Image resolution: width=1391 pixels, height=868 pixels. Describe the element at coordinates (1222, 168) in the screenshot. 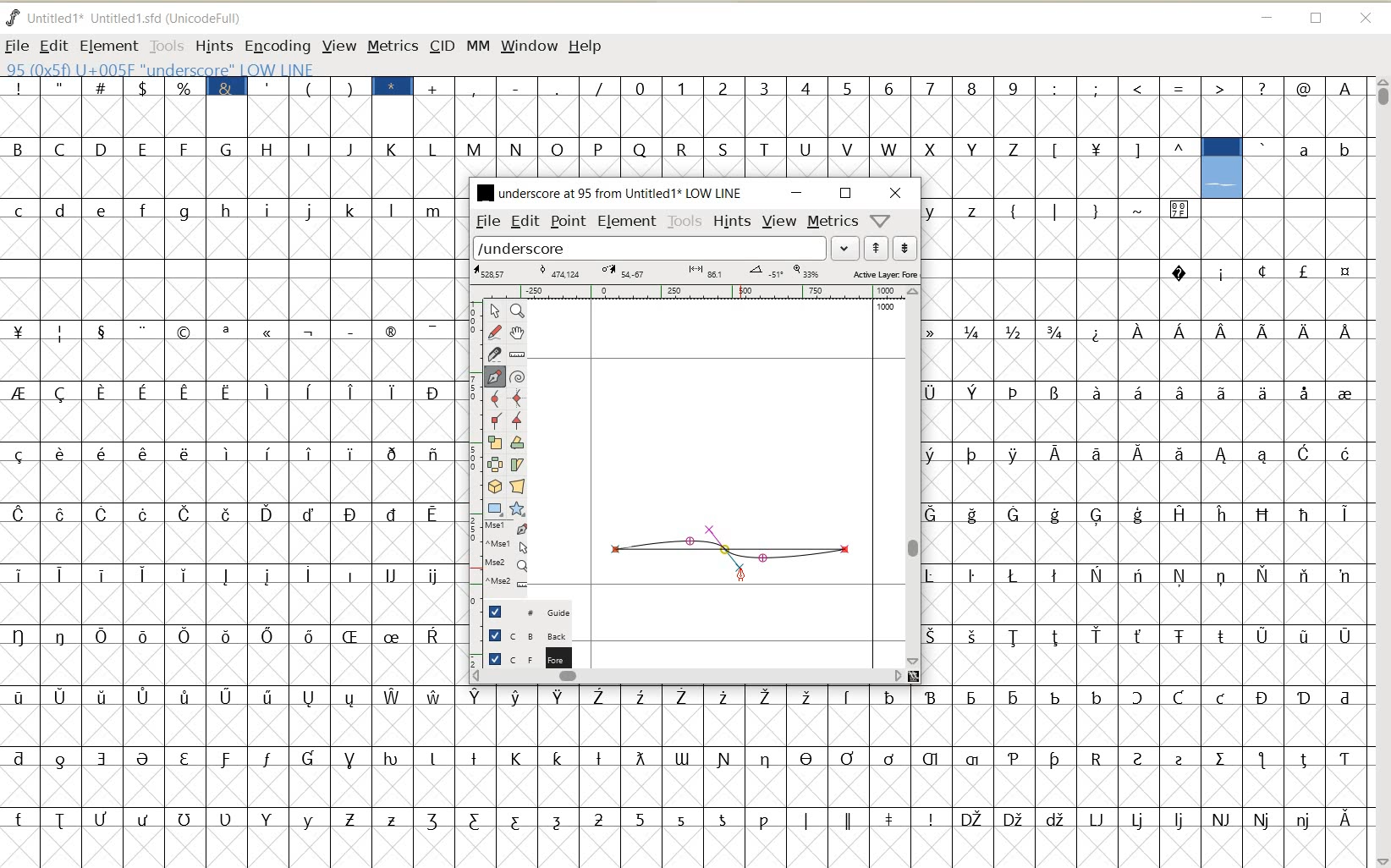

I see `glyph selected` at that location.